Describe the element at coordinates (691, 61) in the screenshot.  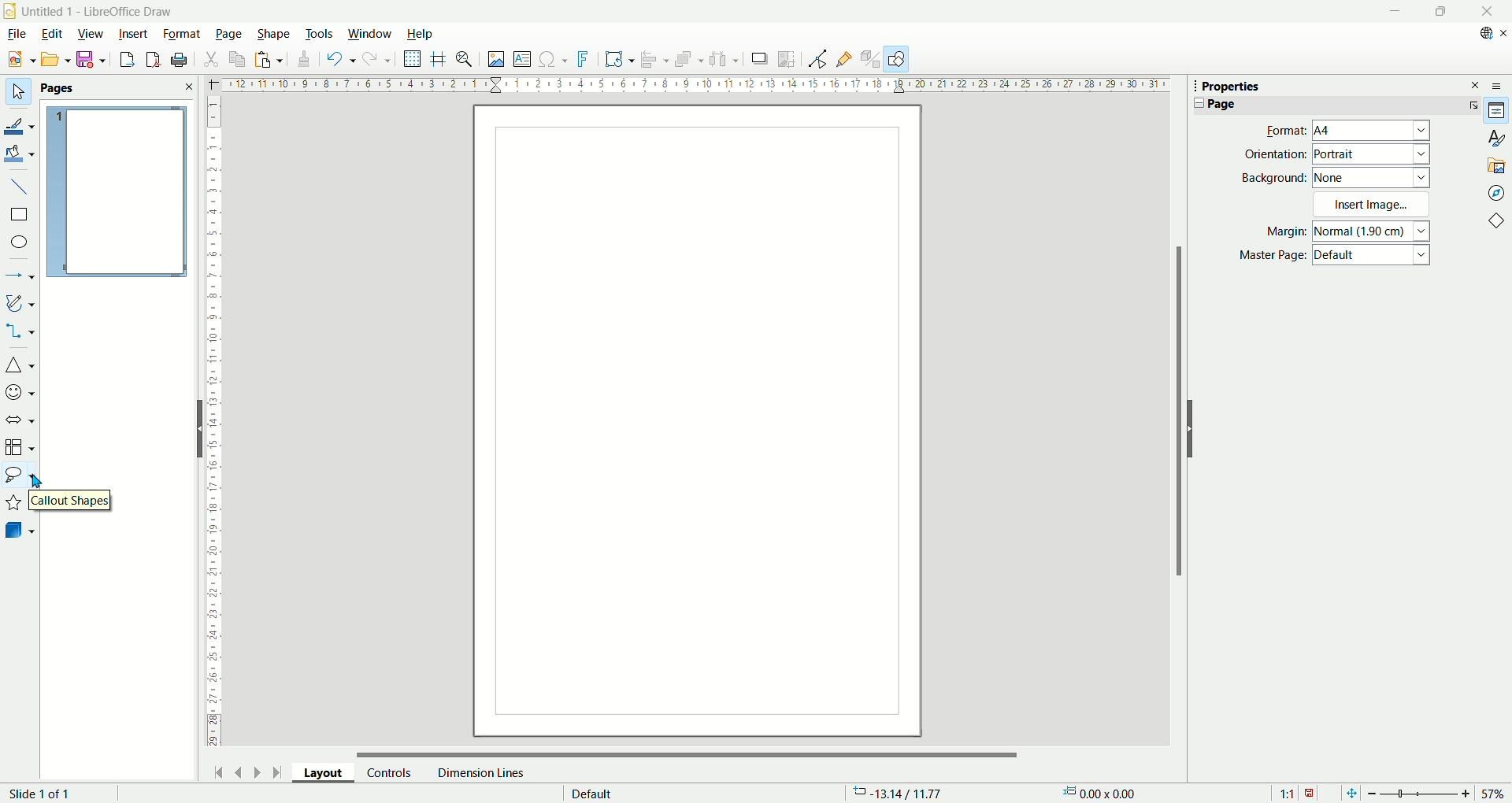
I see `arrange` at that location.